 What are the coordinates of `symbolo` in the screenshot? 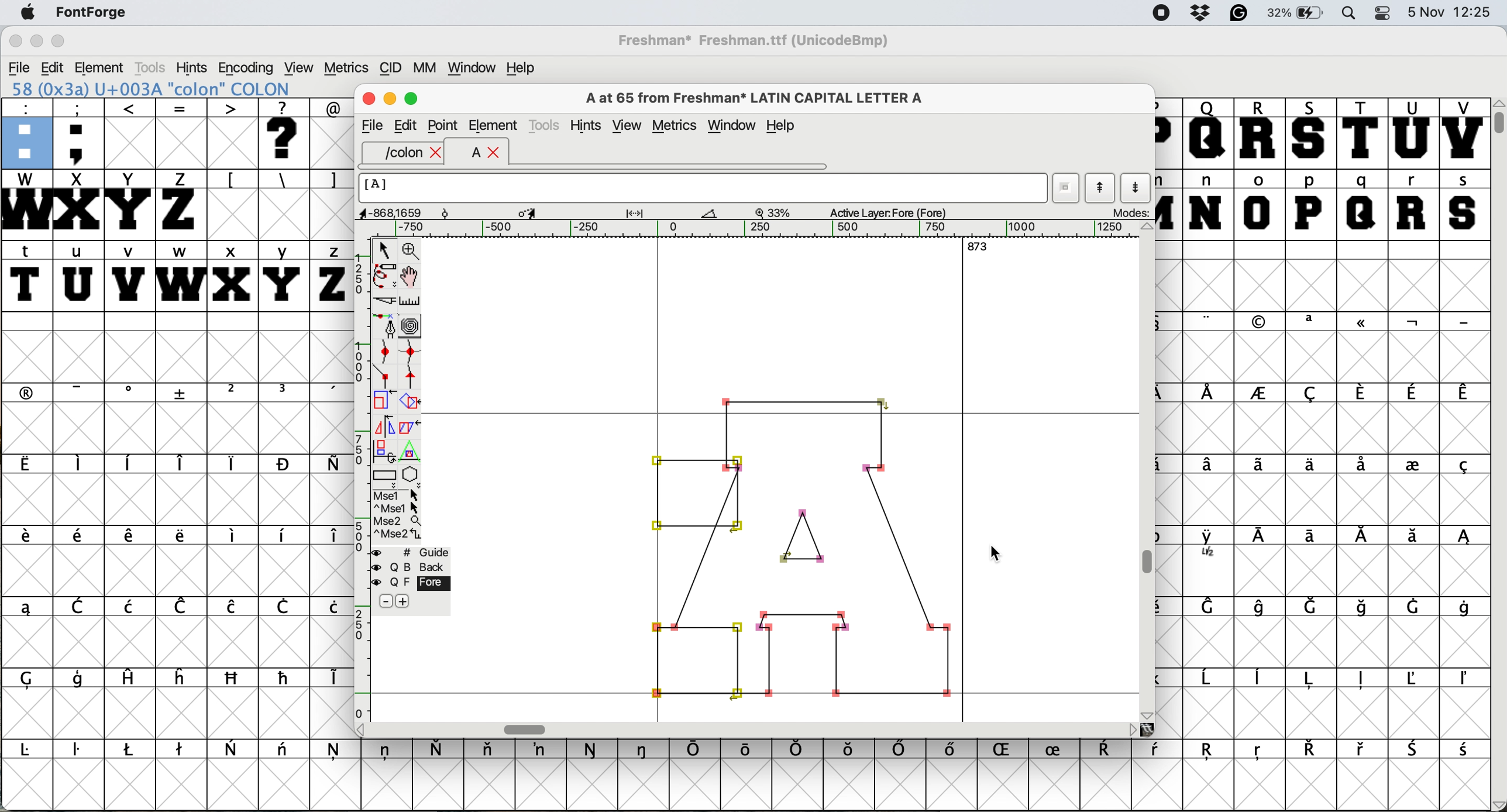 It's located at (234, 536).